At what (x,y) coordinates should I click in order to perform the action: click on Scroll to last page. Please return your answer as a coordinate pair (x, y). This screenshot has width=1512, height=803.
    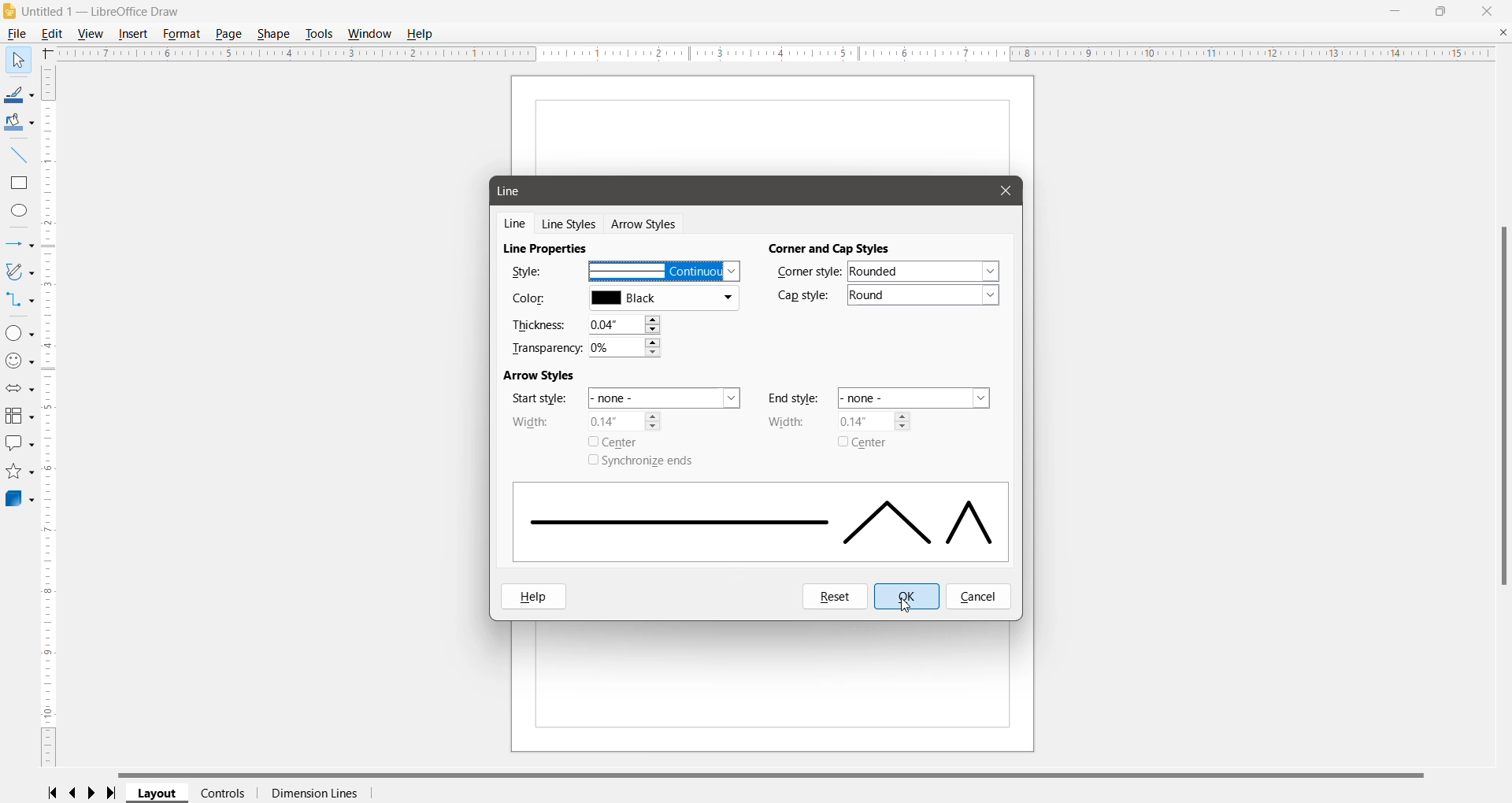
    Looking at the image, I should click on (112, 794).